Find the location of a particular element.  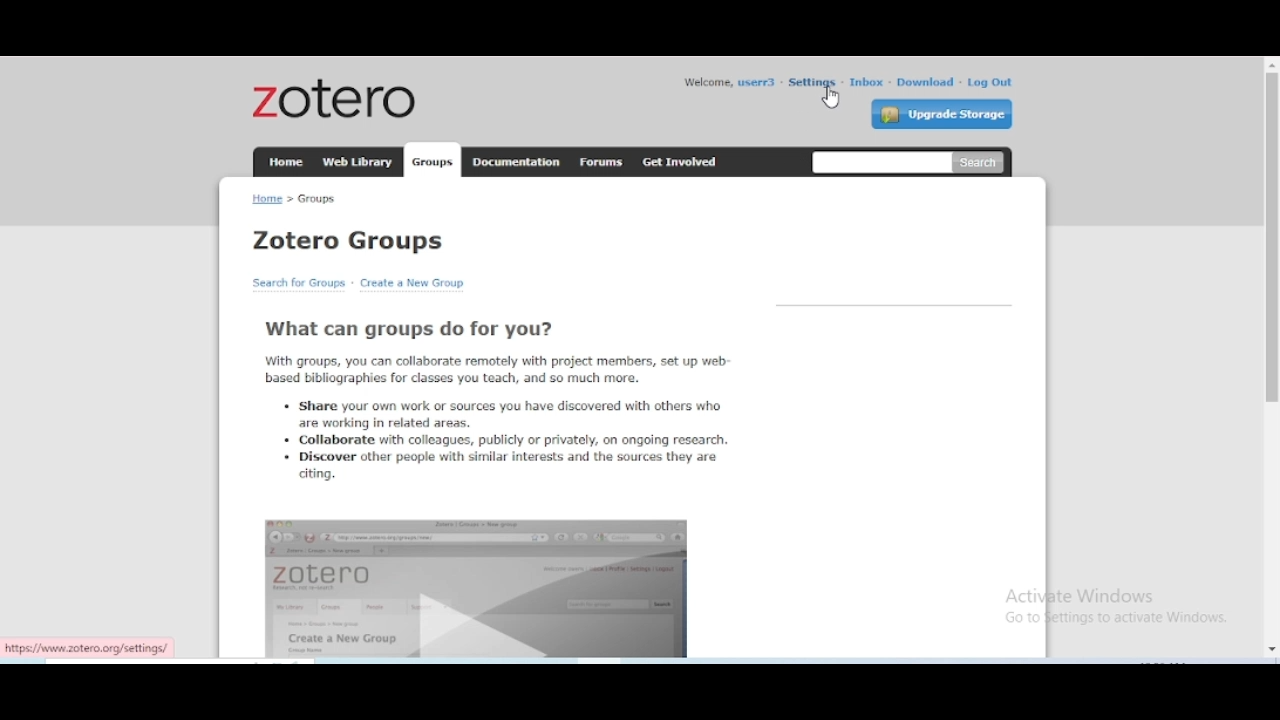

forums is located at coordinates (602, 163).